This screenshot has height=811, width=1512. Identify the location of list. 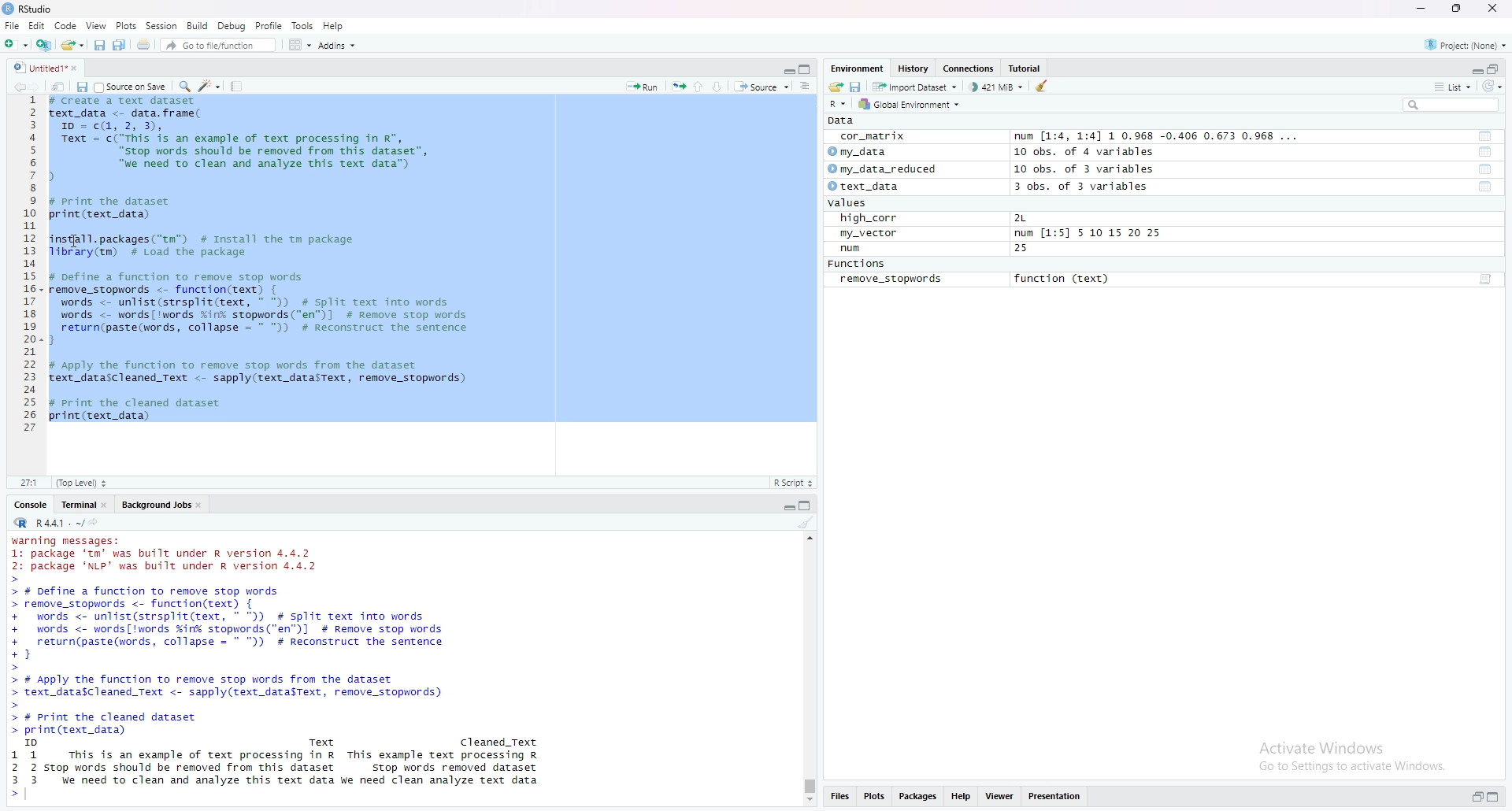
(1456, 87).